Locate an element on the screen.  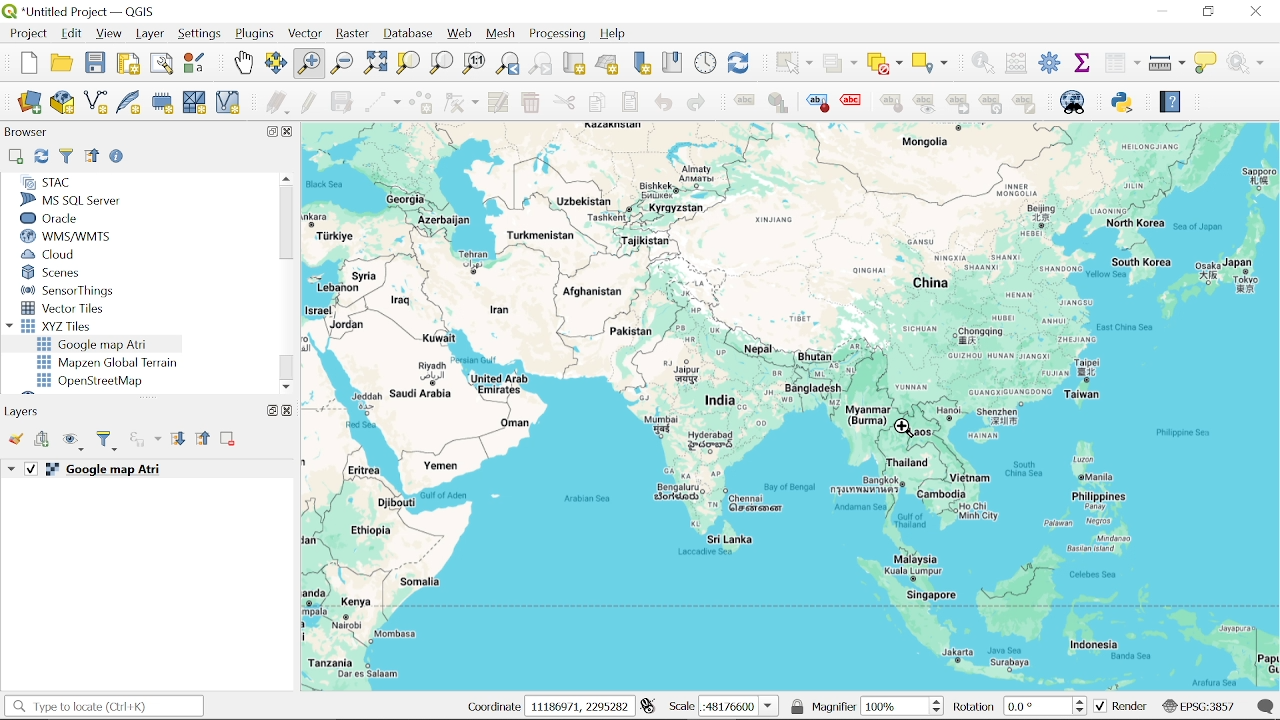
New special bookmark is located at coordinates (642, 64).